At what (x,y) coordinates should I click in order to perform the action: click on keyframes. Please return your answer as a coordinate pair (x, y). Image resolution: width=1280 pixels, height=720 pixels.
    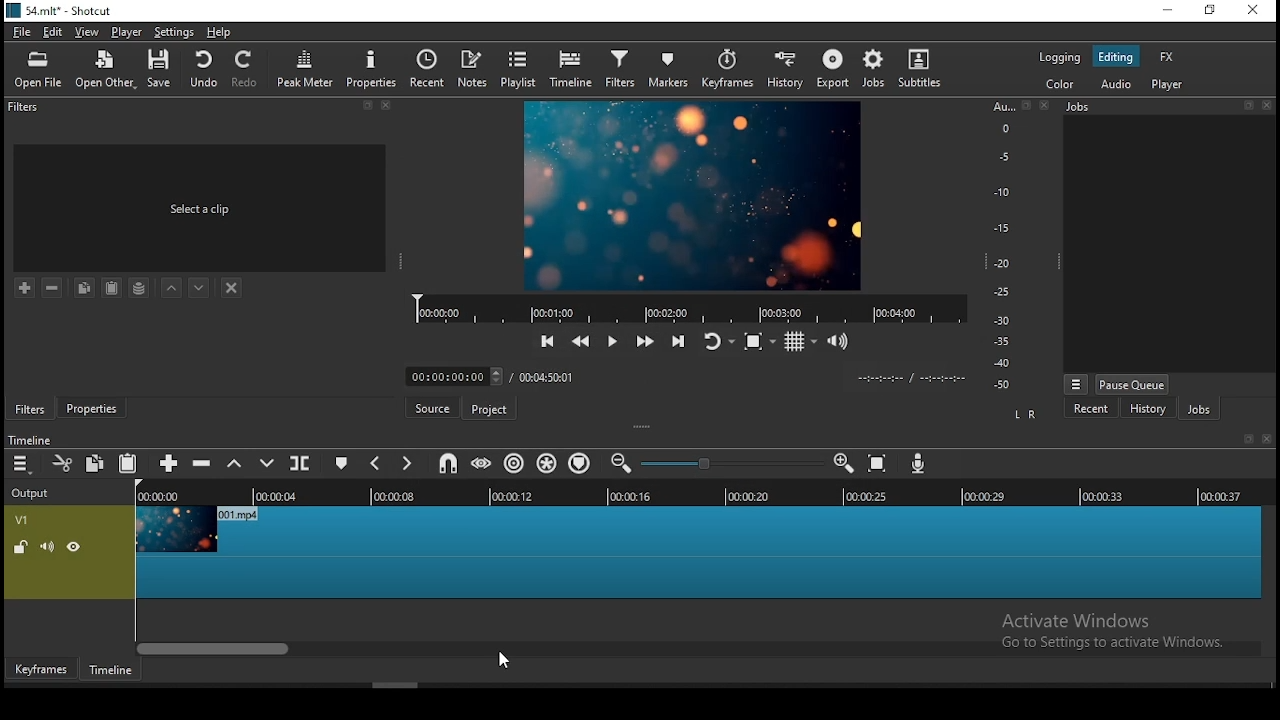
    Looking at the image, I should click on (727, 72).